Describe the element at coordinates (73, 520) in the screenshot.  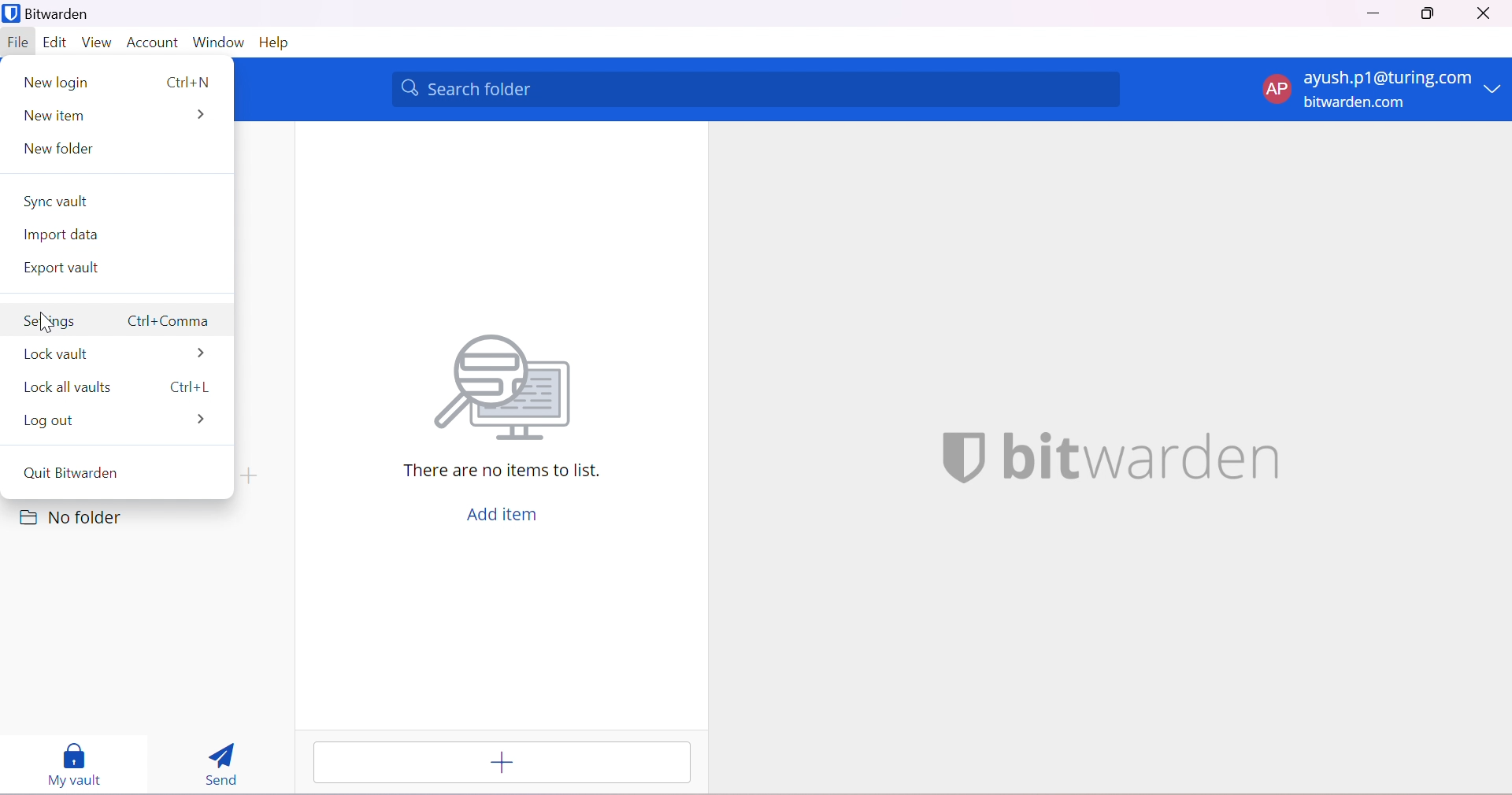
I see `No folder` at that location.